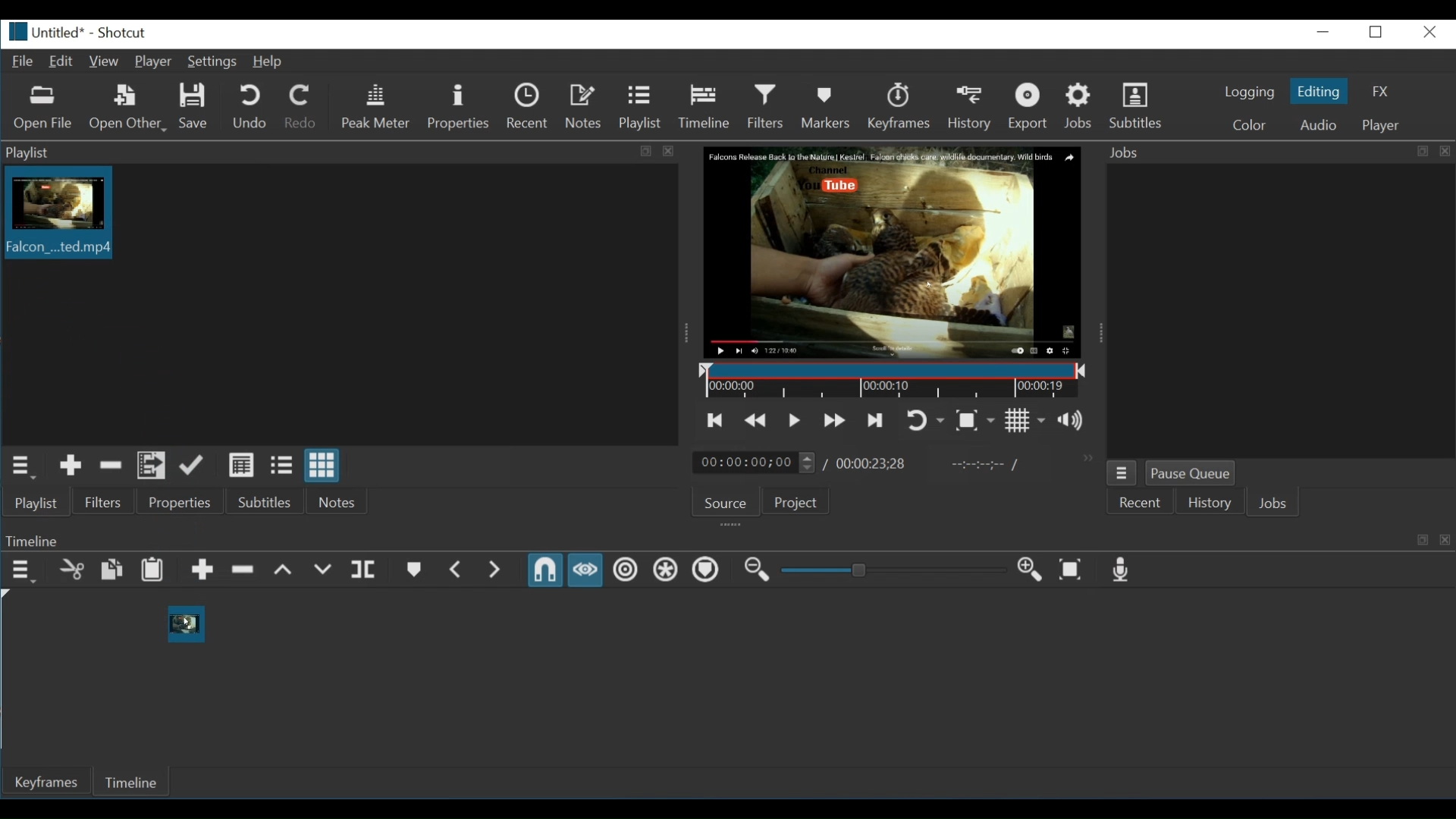 Image resolution: width=1456 pixels, height=819 pixels. What do you see at coordinates (129, 108) in the screenshot?
I see `Open Other` at bounding box center [129, 108].